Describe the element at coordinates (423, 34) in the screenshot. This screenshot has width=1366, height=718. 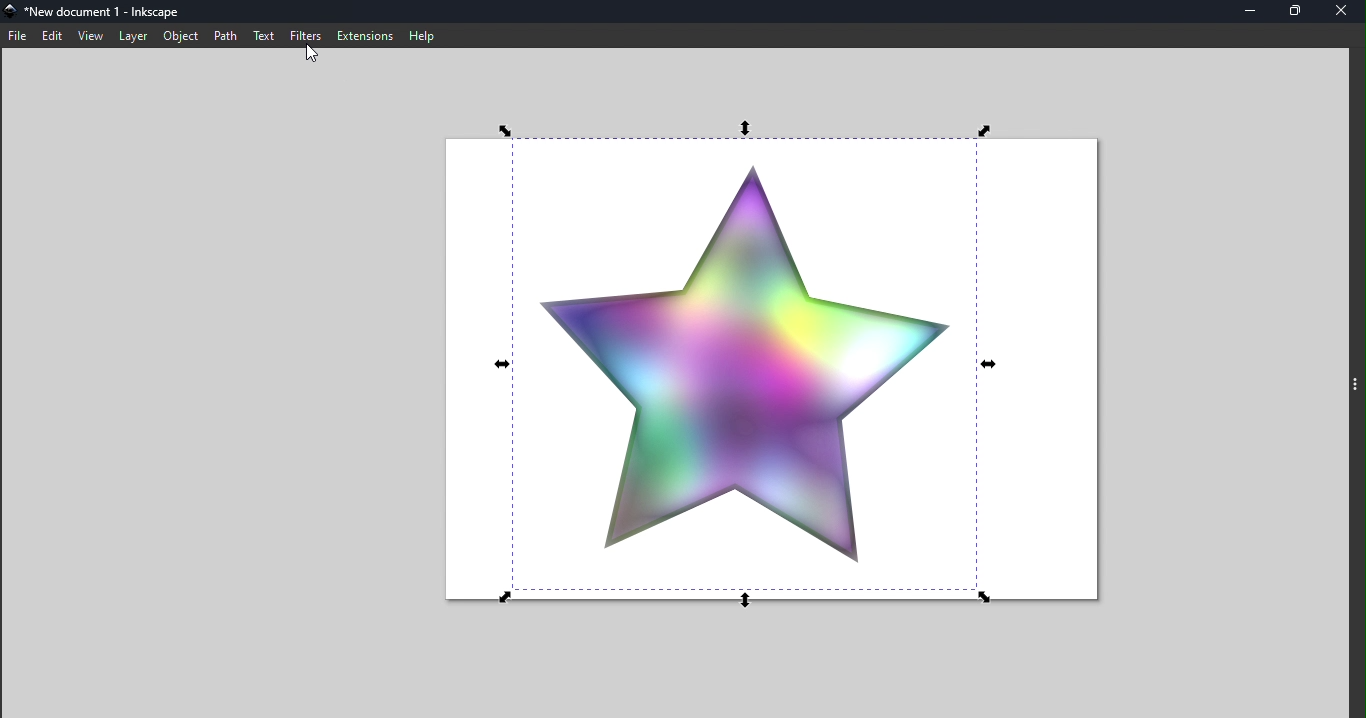
I see `Help` at that location.